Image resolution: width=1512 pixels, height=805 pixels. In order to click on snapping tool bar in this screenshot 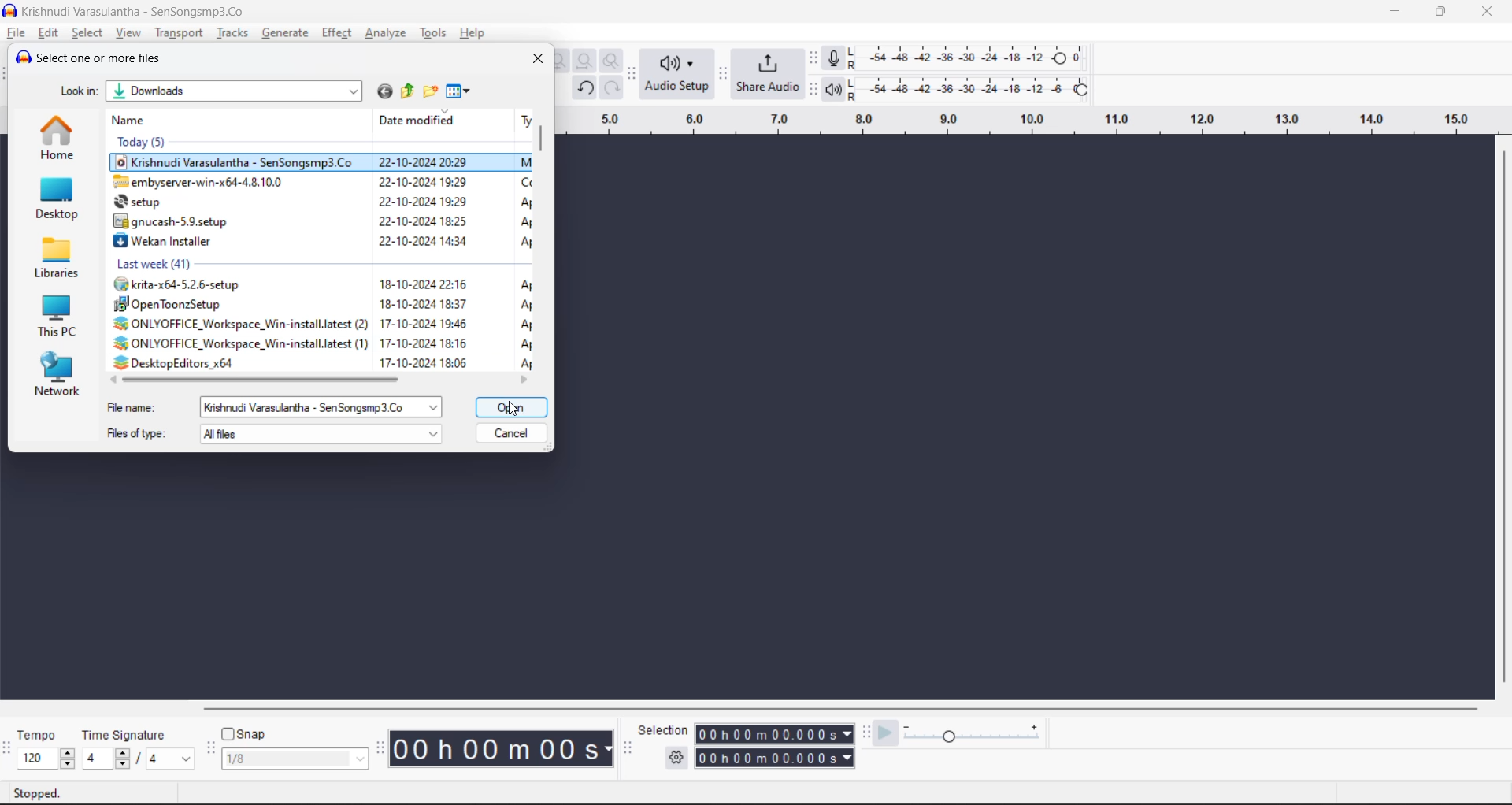, I will do `click(209, 750)`.